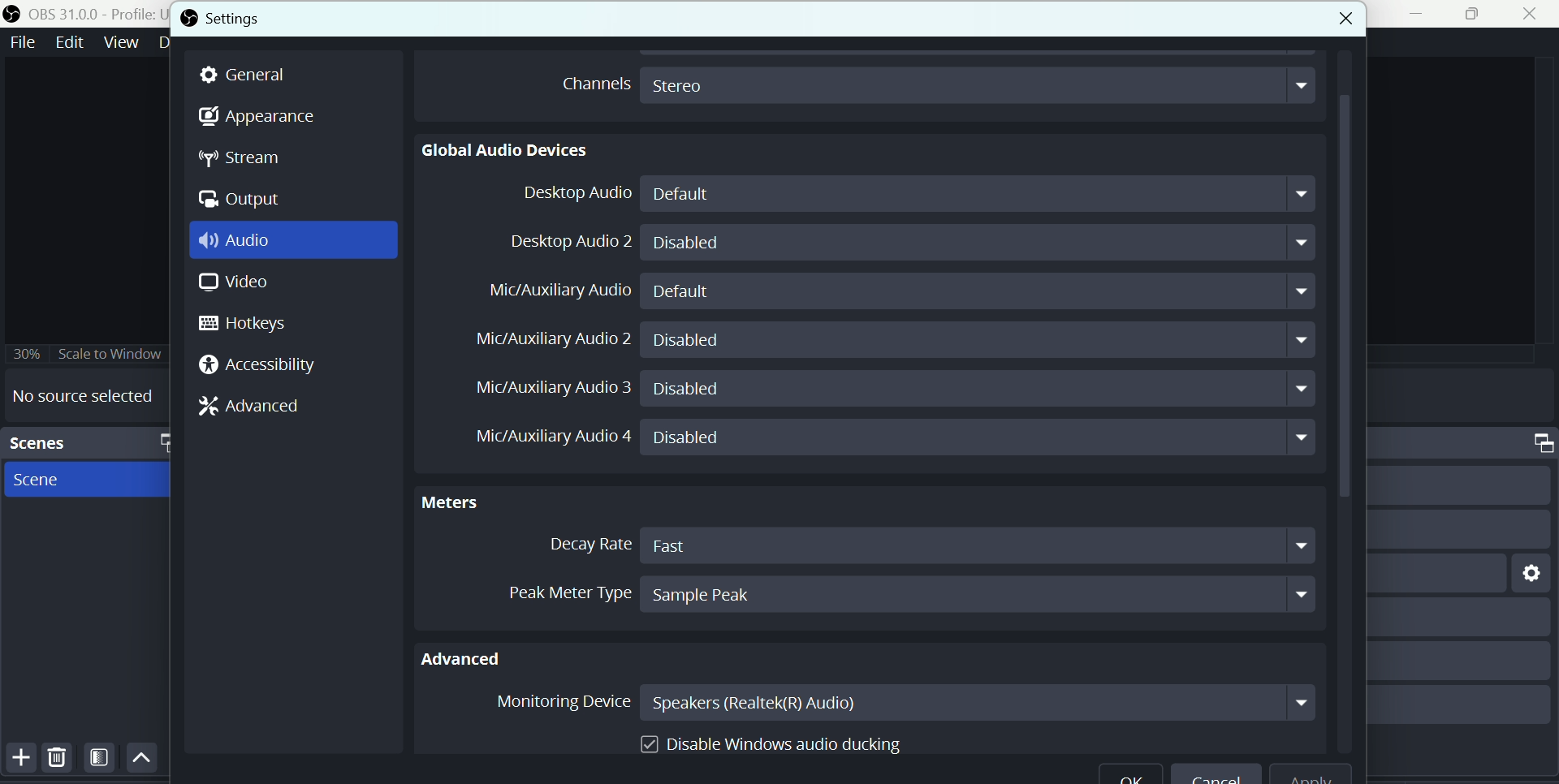  Describe the element at coordinates (58, 442) in the screenshot. I see `Scenes` at that location.